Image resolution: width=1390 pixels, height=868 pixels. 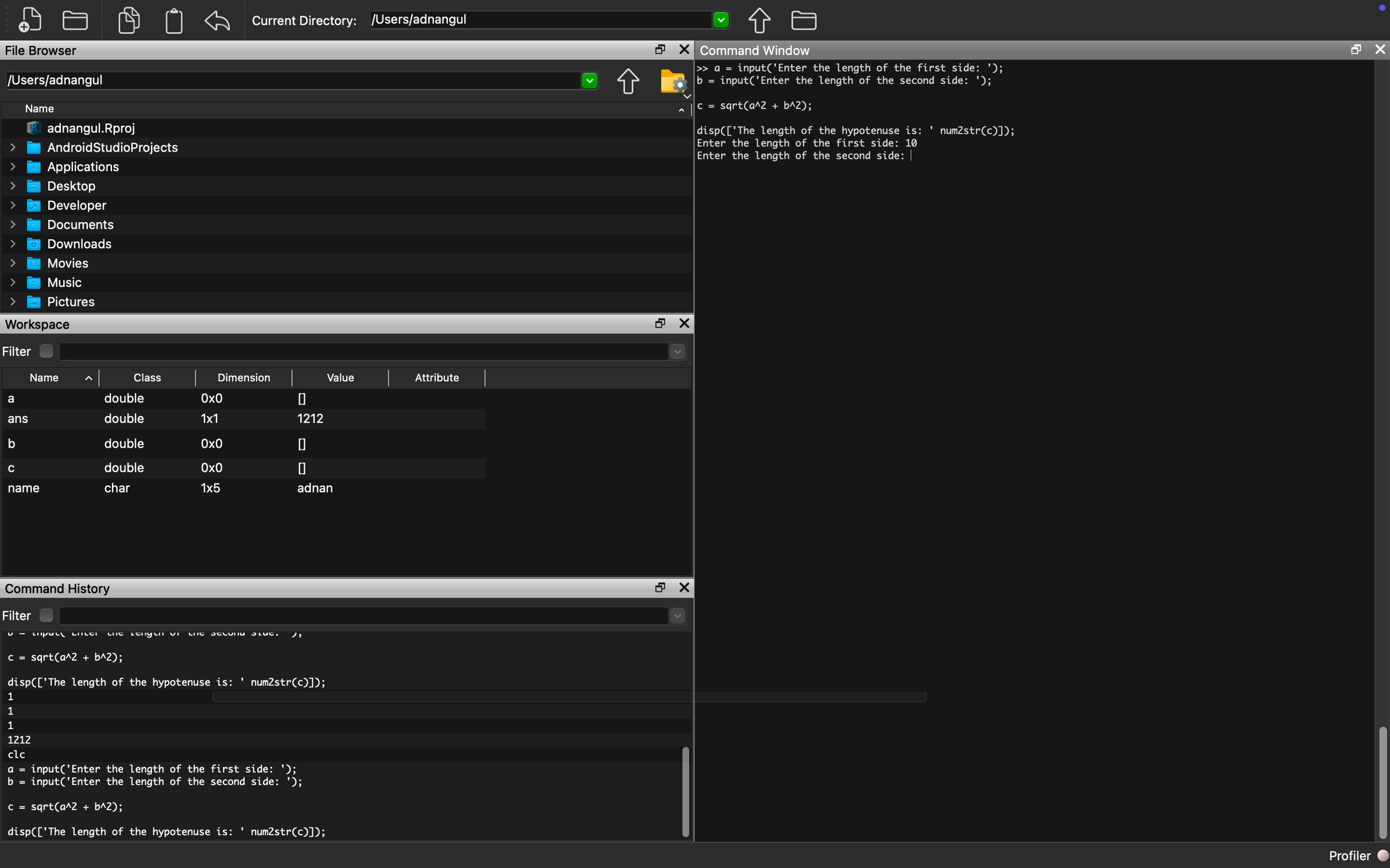 What do you see at coordinates (89, 129) in the screenshot?
I see `I" adnangul.Rproj` at bounding box center [89, 129].